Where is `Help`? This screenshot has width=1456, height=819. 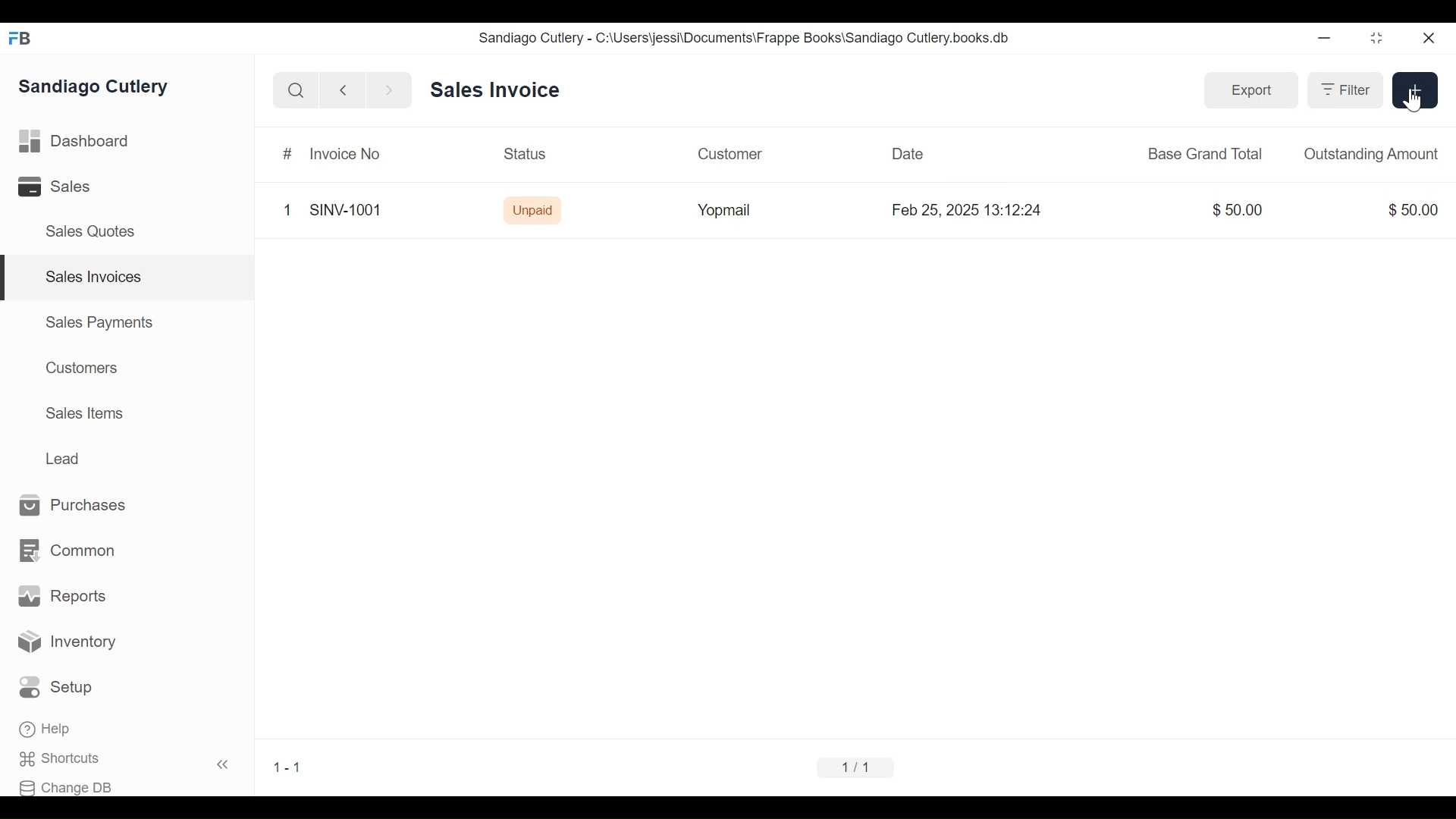 Help is located at coordinates (46, 729).